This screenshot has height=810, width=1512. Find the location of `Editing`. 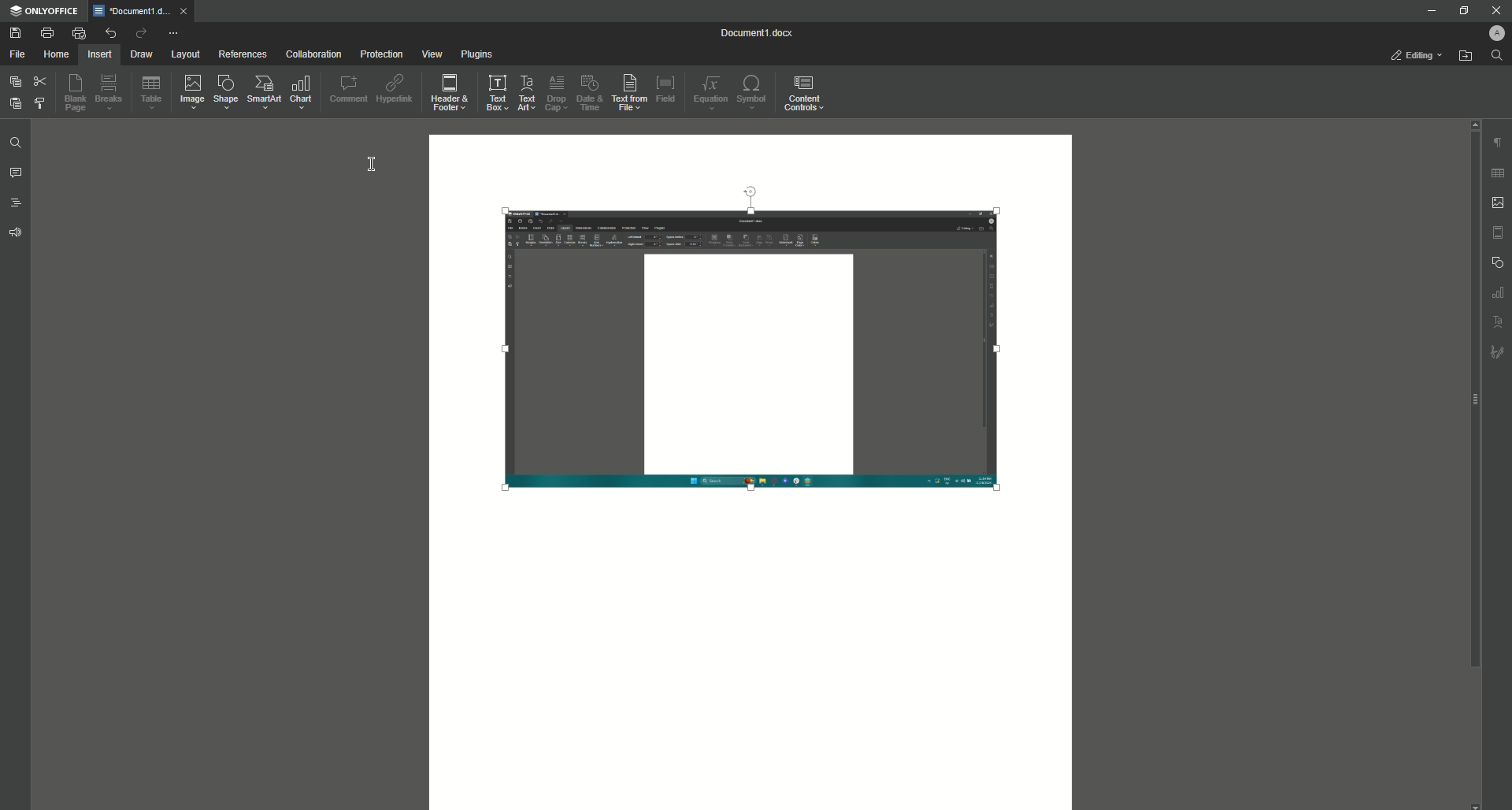

Editing is located at coordinates (1410, 55).